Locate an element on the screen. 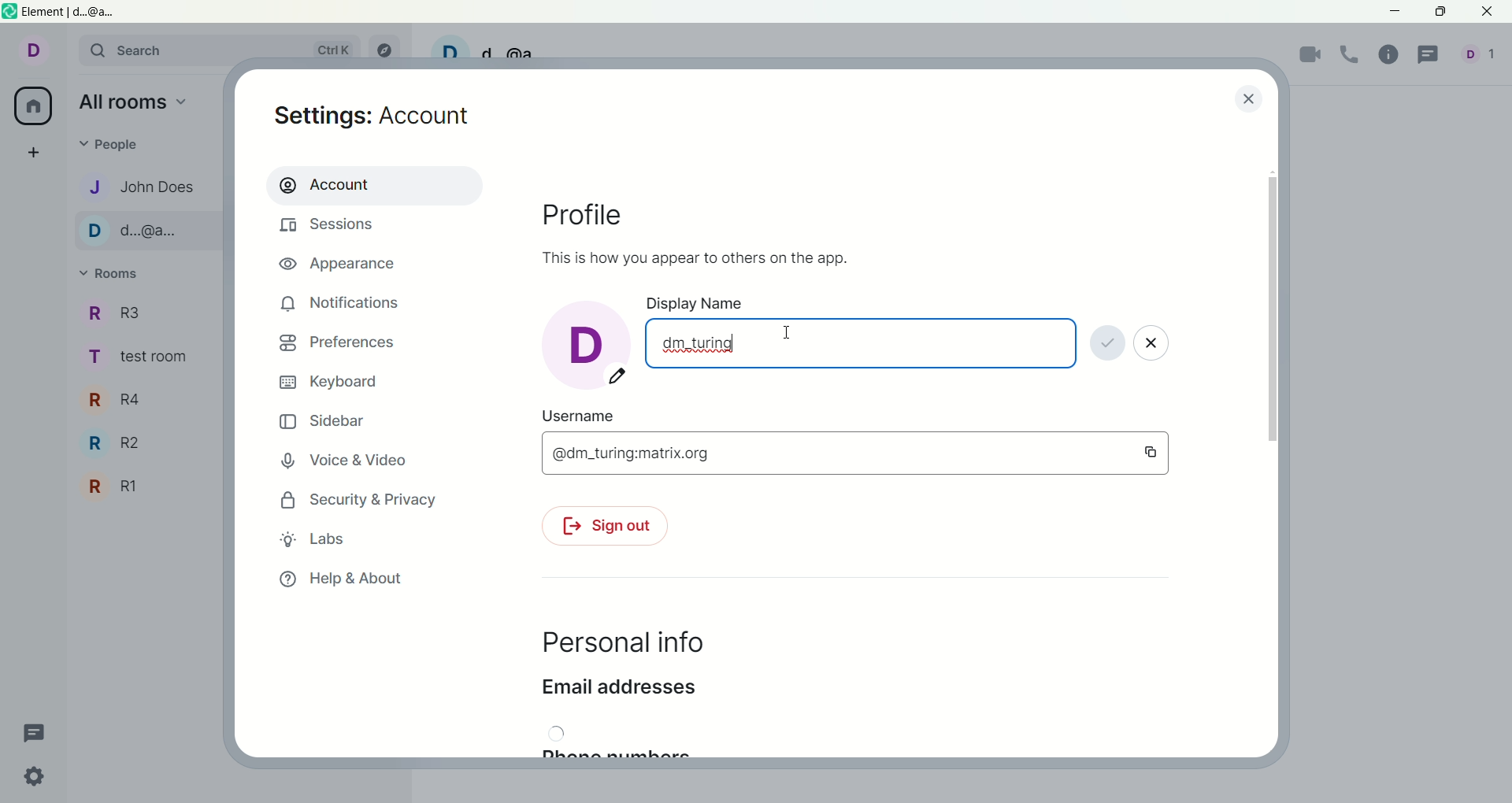 The height and width of the screenshot is (803, 1512). close is located at coordinates (1154, 346).